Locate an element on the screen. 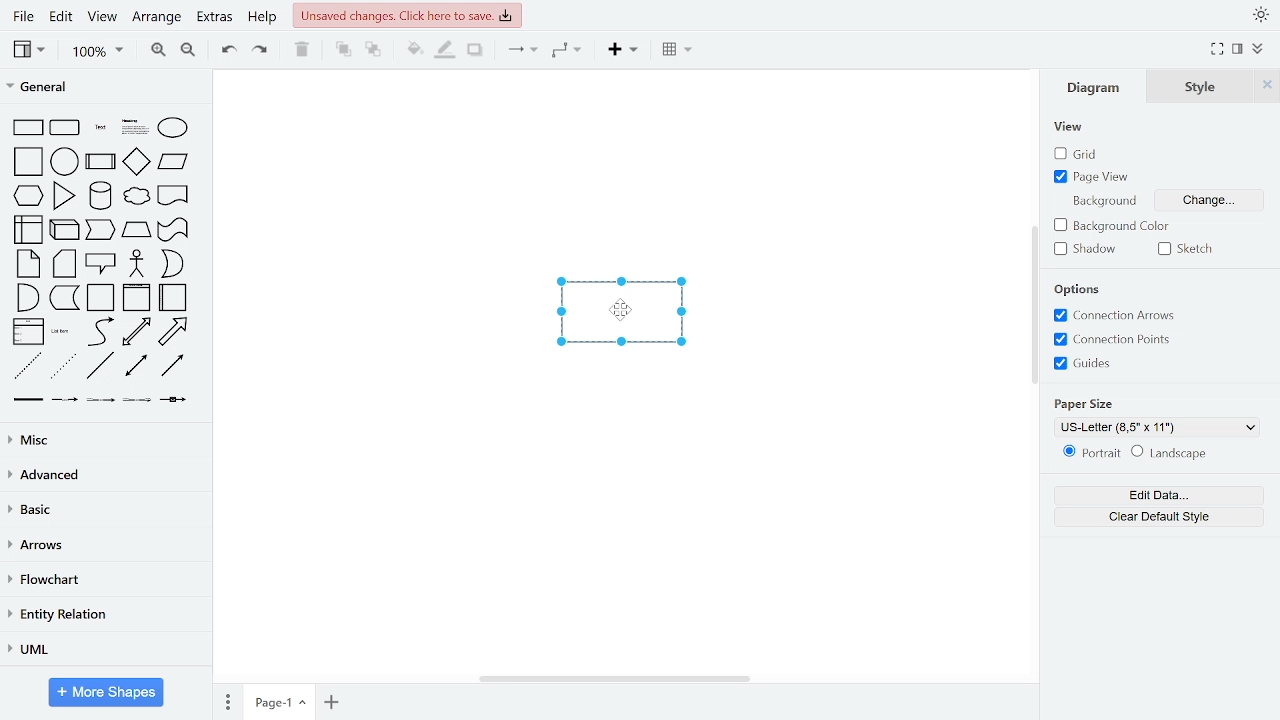 The image size is (1280, 720). general shapes is located at coordinates (27, 364).